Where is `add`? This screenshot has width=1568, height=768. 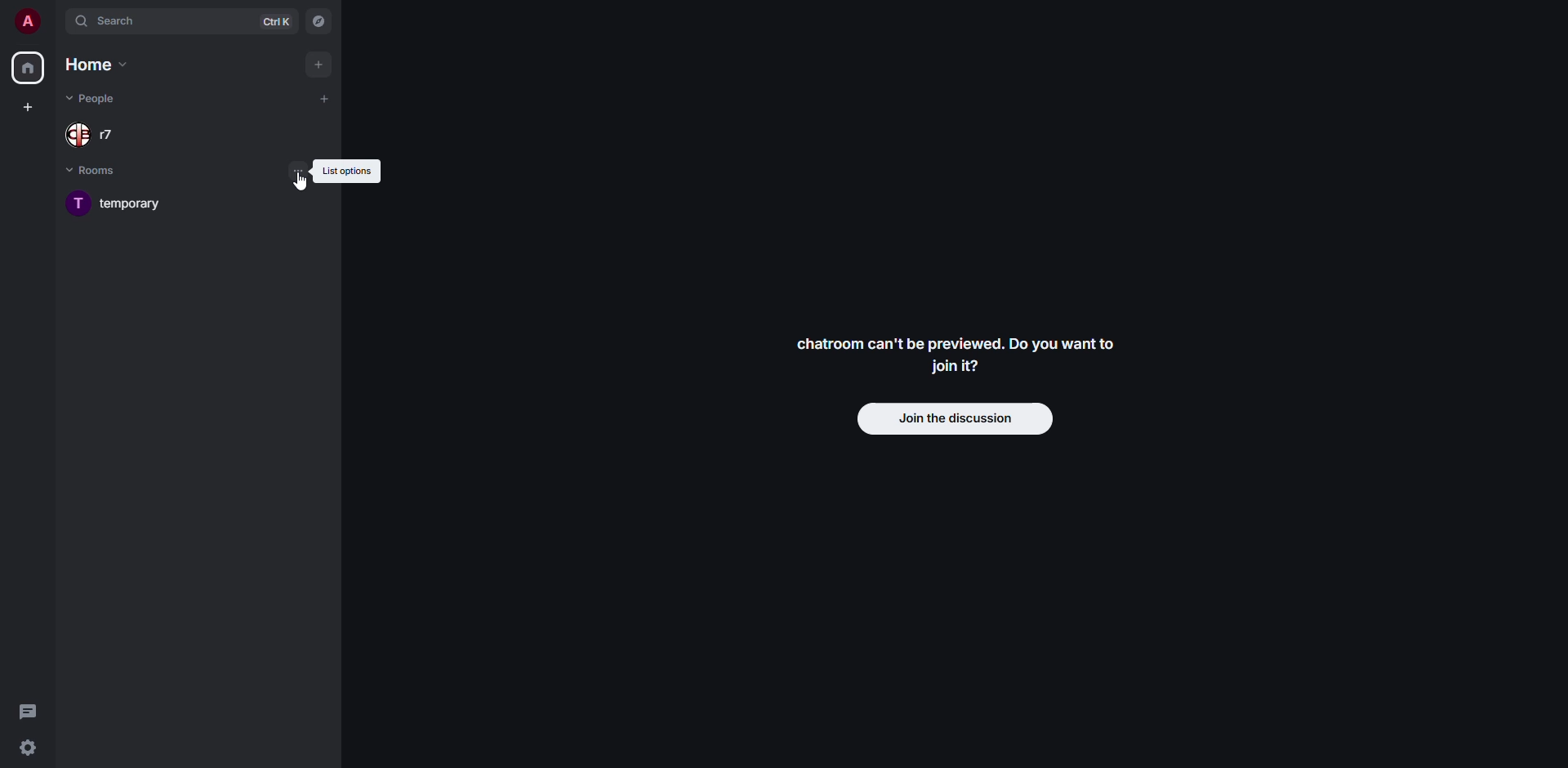 add is located at coordinates (325, 98).